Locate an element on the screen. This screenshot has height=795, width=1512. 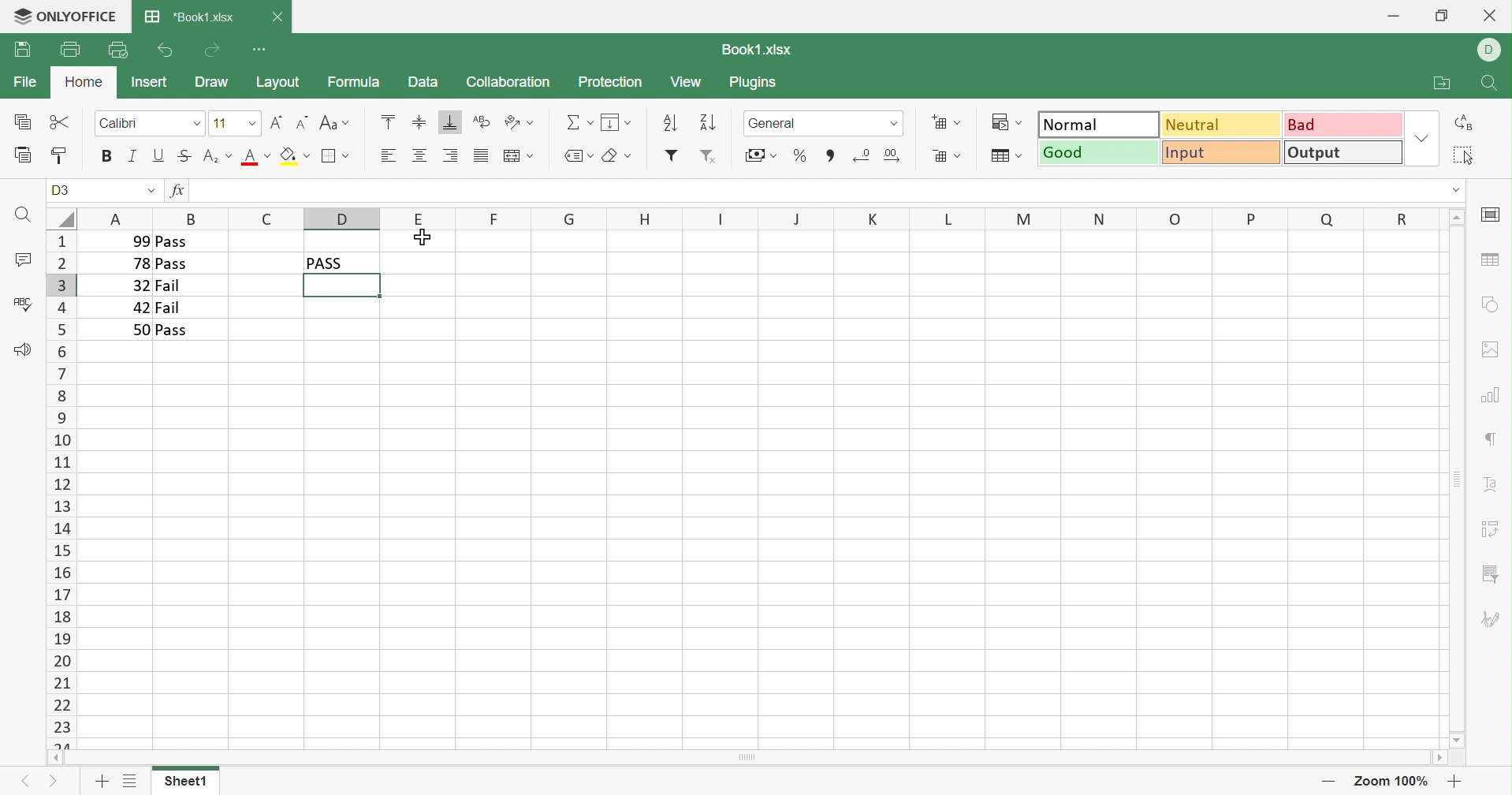
Slicer settings is located at coordinates (1493, 575).